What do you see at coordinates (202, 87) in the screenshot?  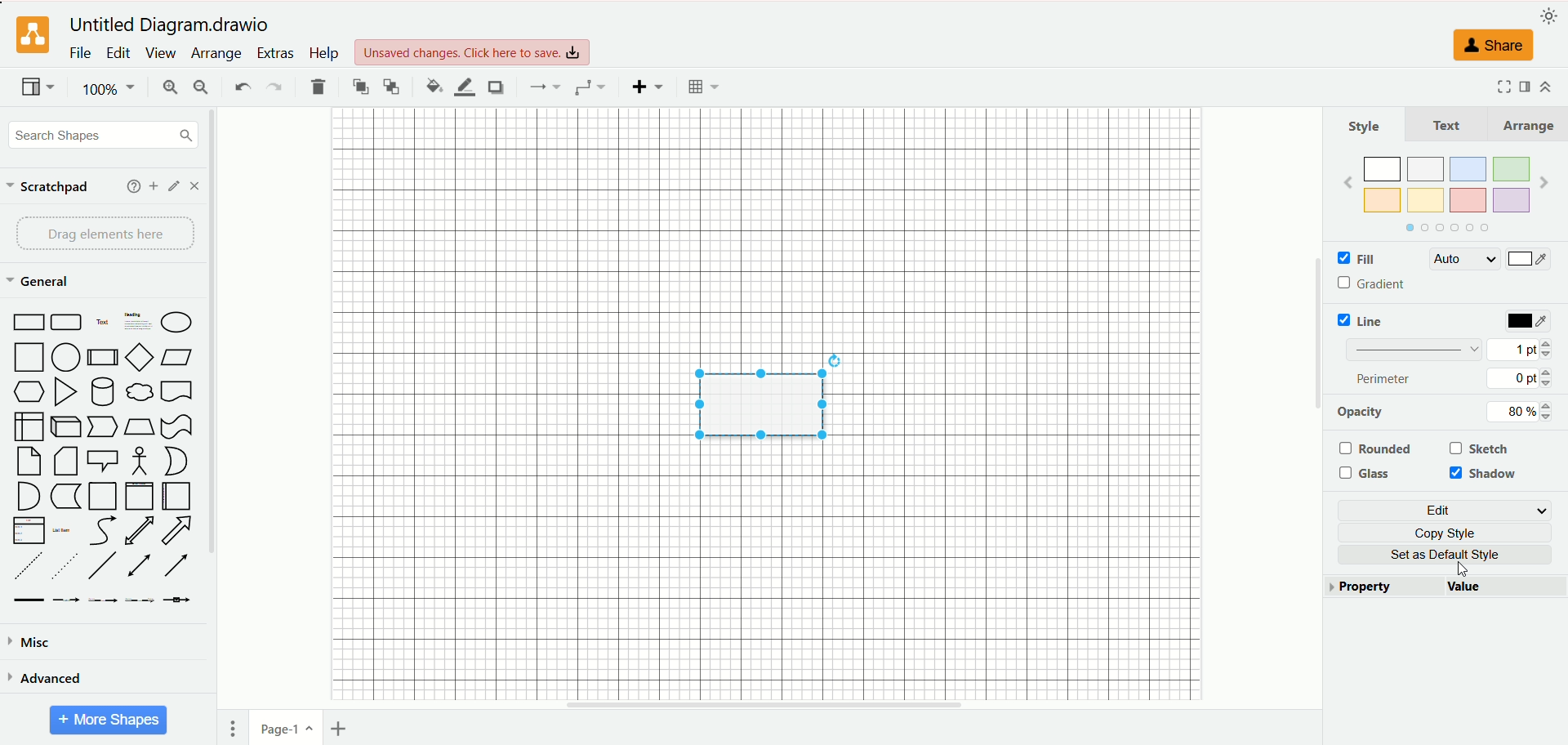 I see `zoom out` at bounding box center [202, 87].